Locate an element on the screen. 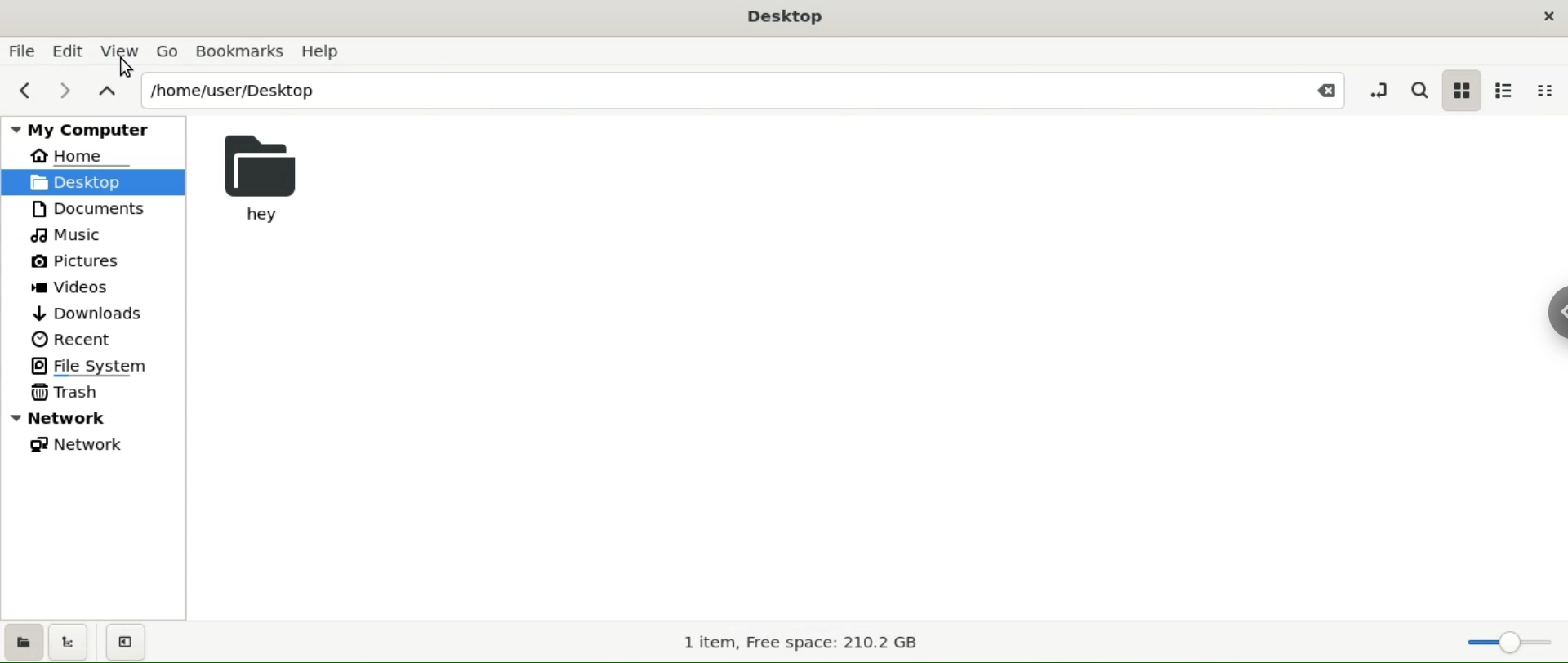  cursor is located at coordinates (129, 67).